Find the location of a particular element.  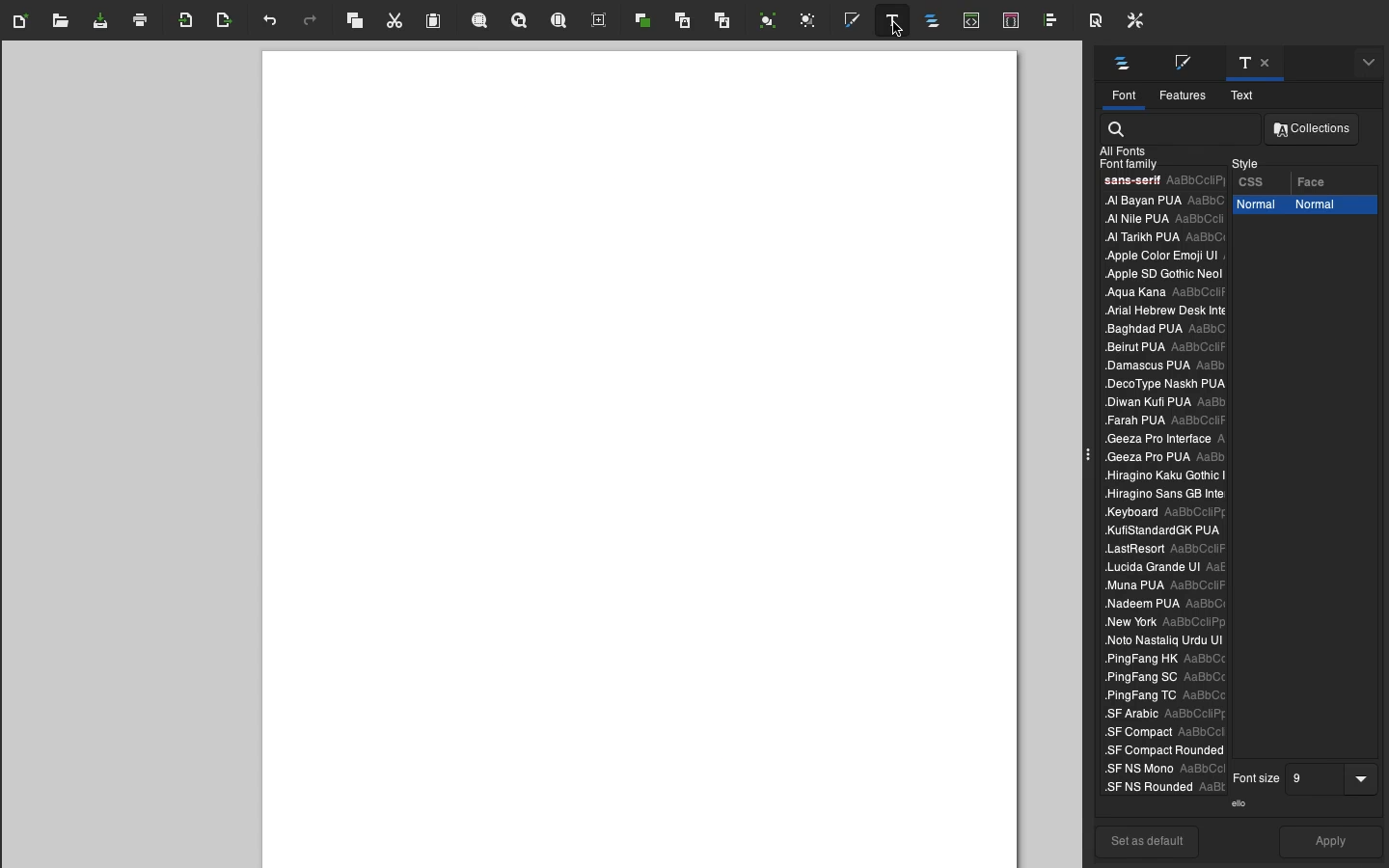

Zoom selection is located at coordinates (481, 22).